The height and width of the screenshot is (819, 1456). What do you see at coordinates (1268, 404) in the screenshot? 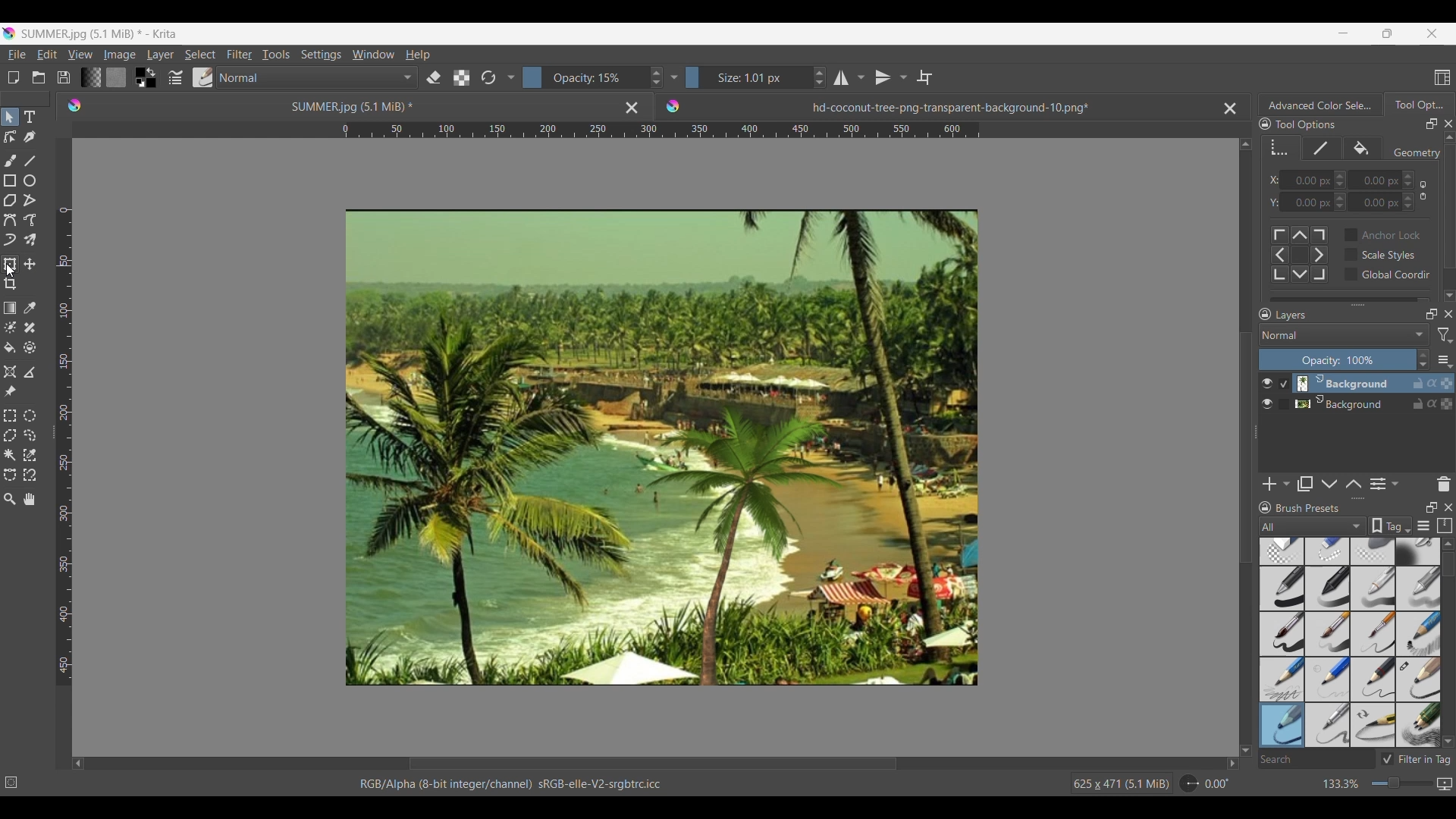
I see `Show/Hide layer` at bounding box center [1268, 404].